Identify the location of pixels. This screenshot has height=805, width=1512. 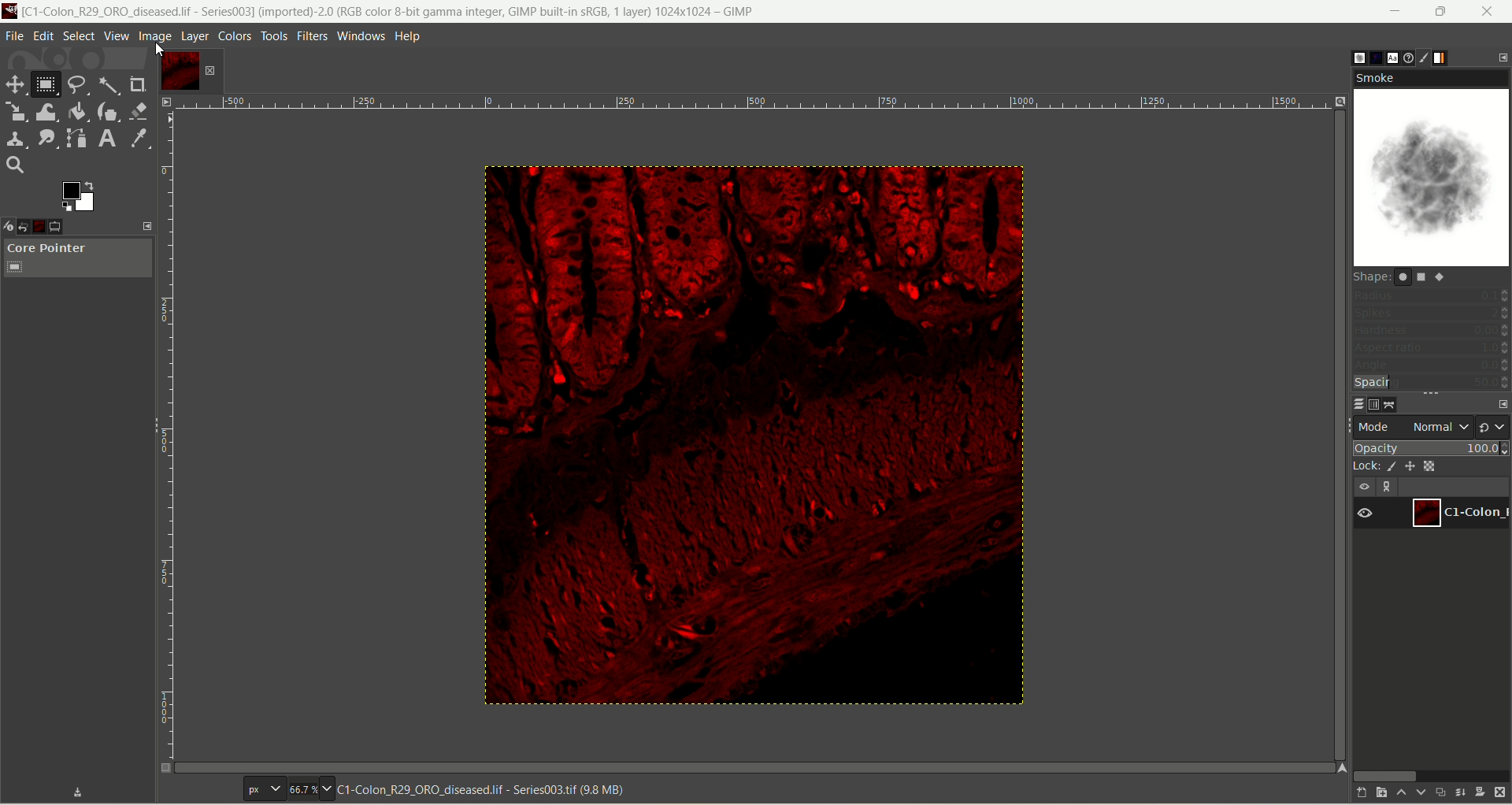
(267, 788).